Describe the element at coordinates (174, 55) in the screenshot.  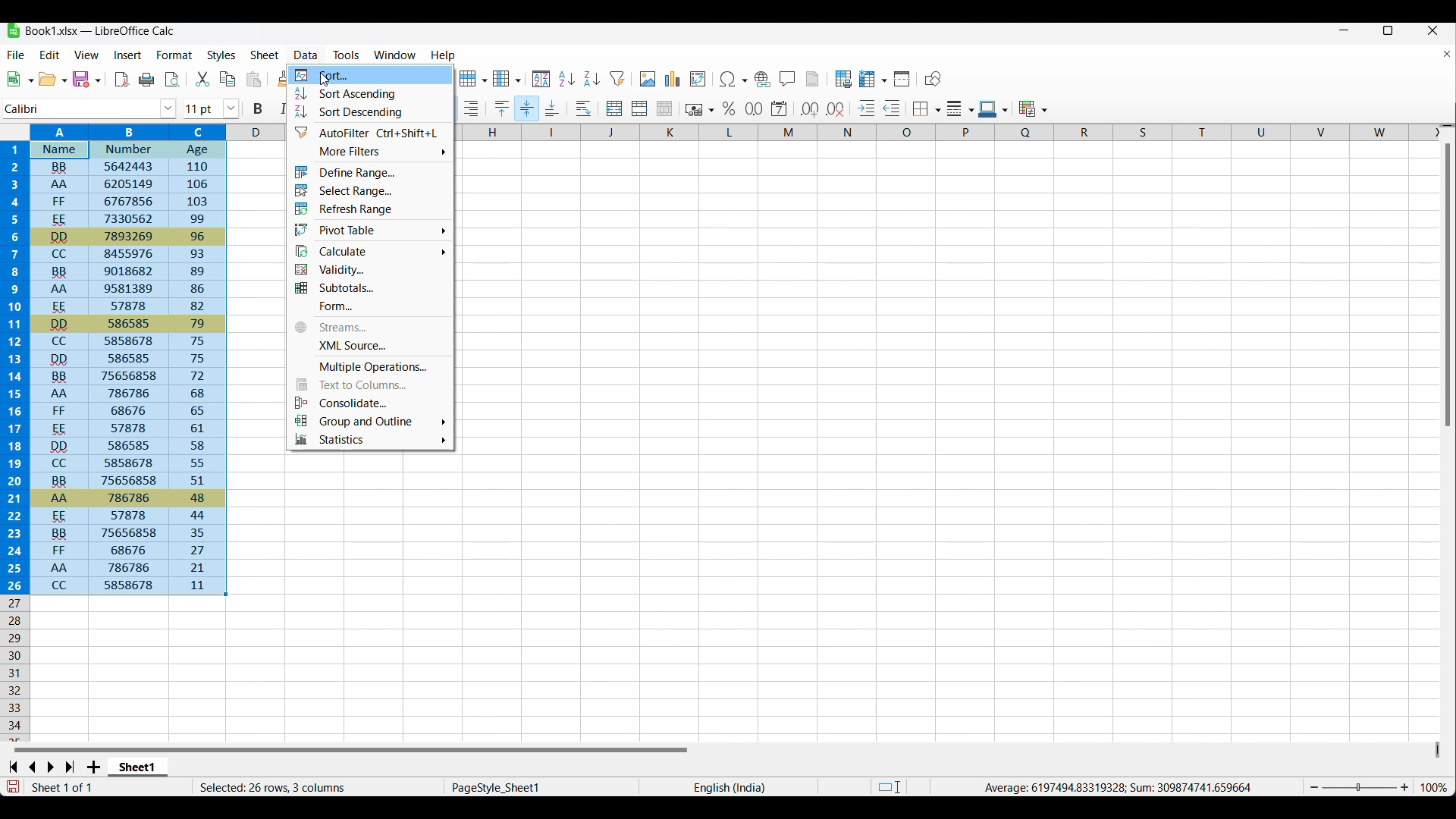
I see `Format menu` at that location.